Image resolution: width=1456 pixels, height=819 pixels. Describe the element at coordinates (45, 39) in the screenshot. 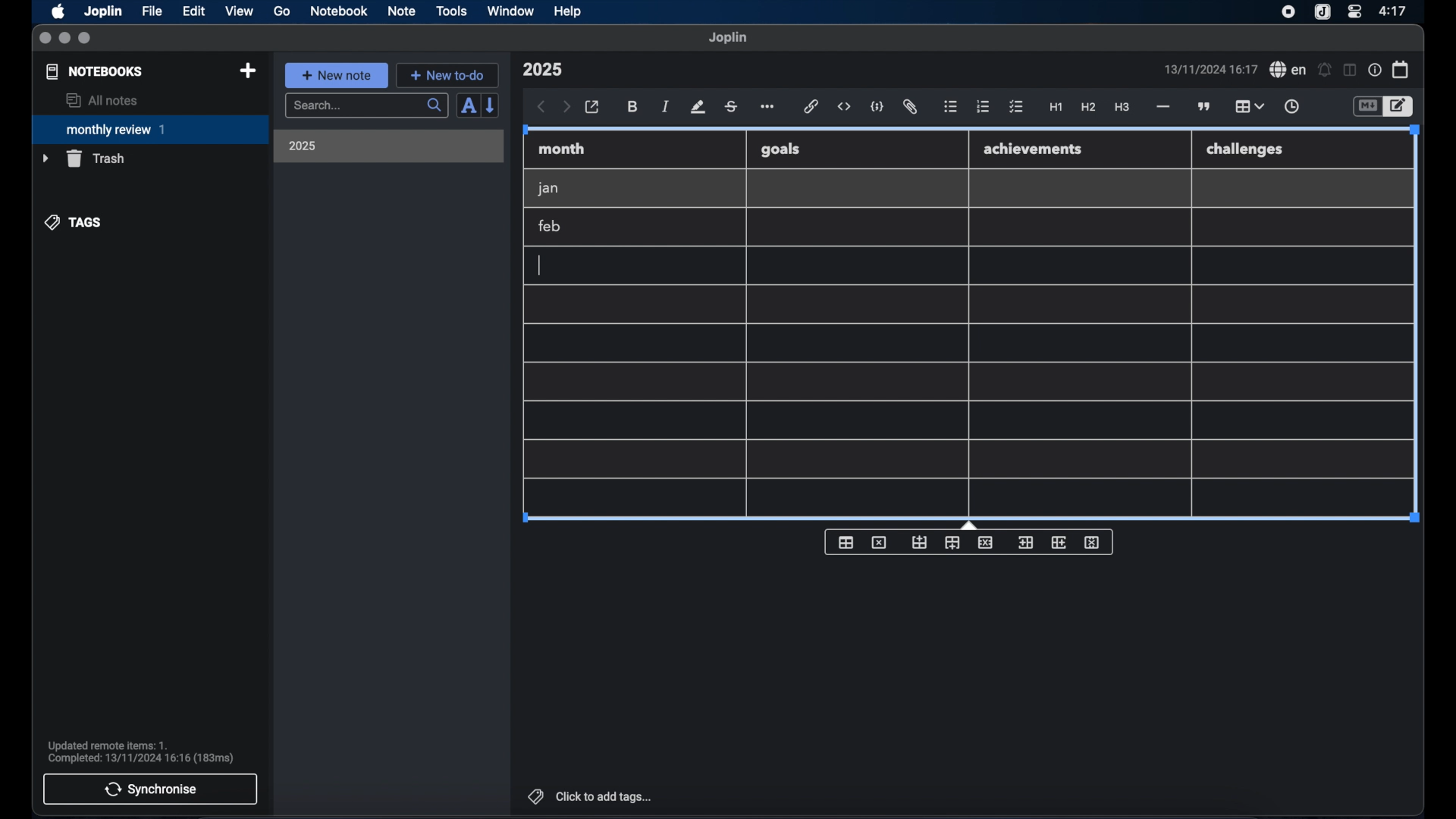

I see `close` at that location.